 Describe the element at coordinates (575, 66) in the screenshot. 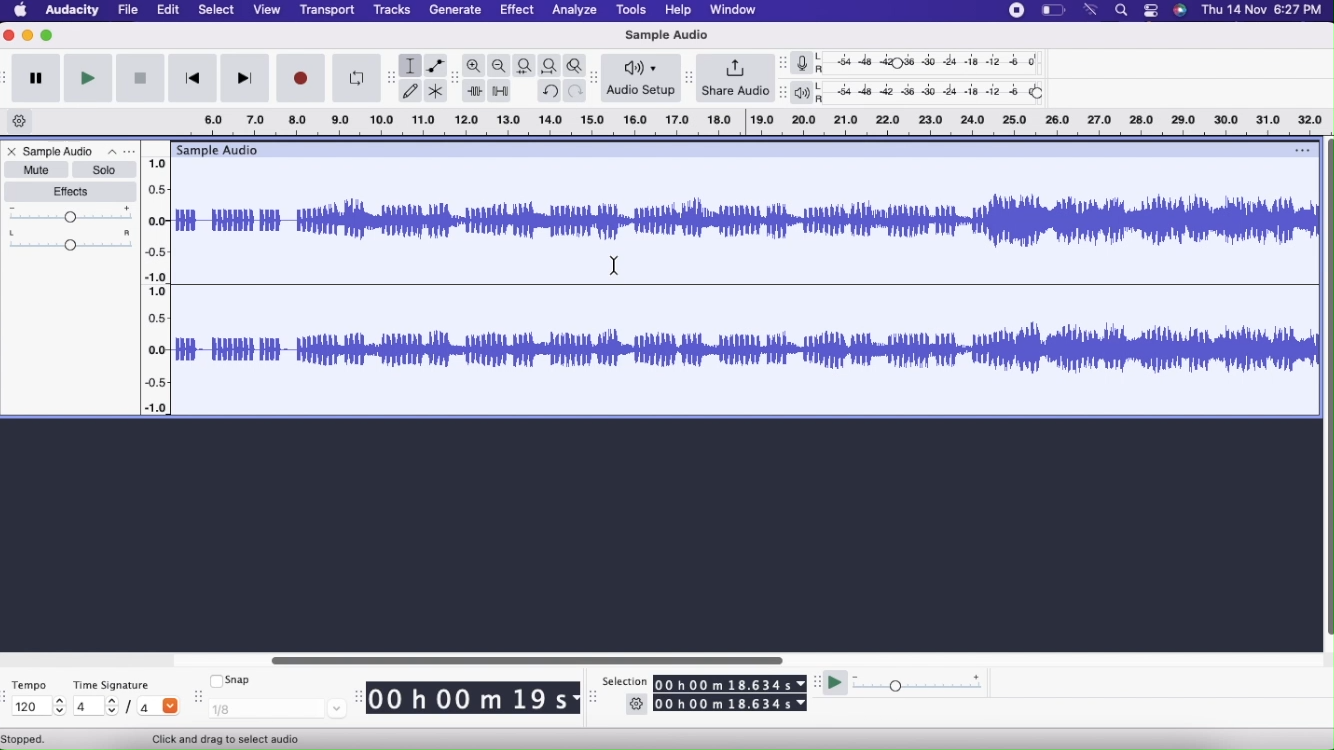

I see `Zoom Toggle` at that location.